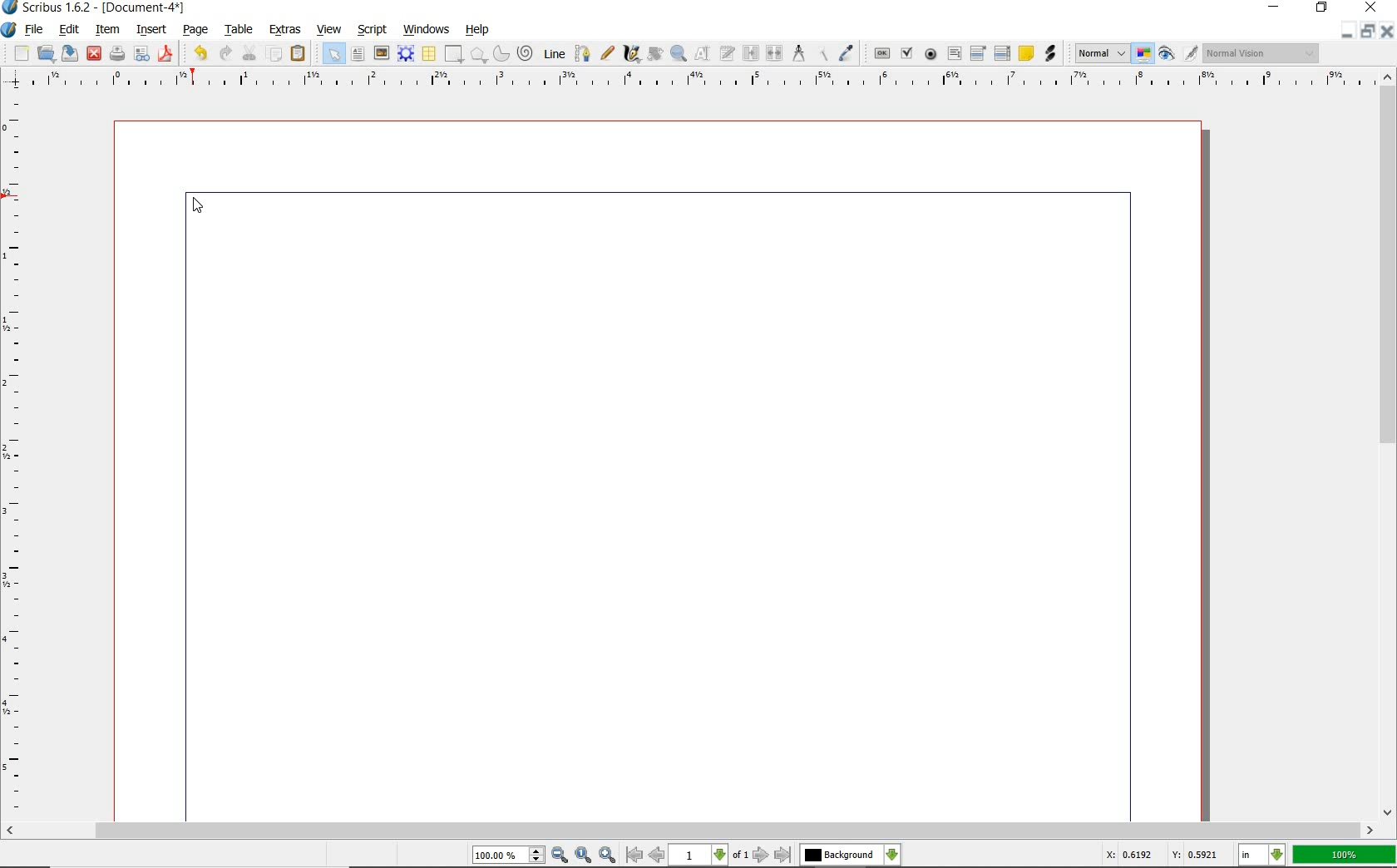 The height and width of the screenshot is (868, 1397). What do you see at coordinates (654, 55) in the screenshot?
I see `rotate item` at bounding box center [654, 55].